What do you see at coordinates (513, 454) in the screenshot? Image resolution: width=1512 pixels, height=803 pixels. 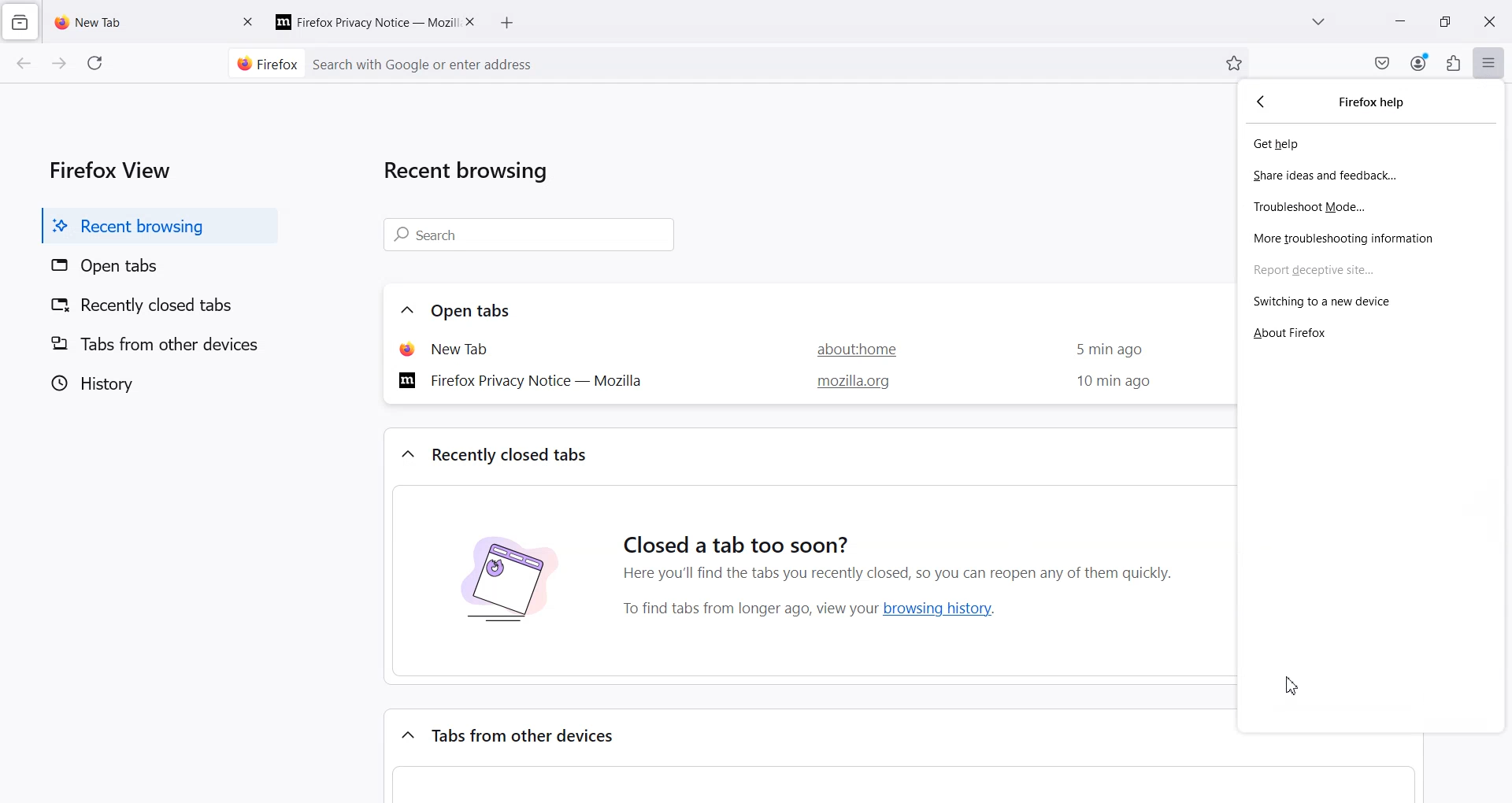 I see `Recently closed tabs` at bounding box center [513, 454].